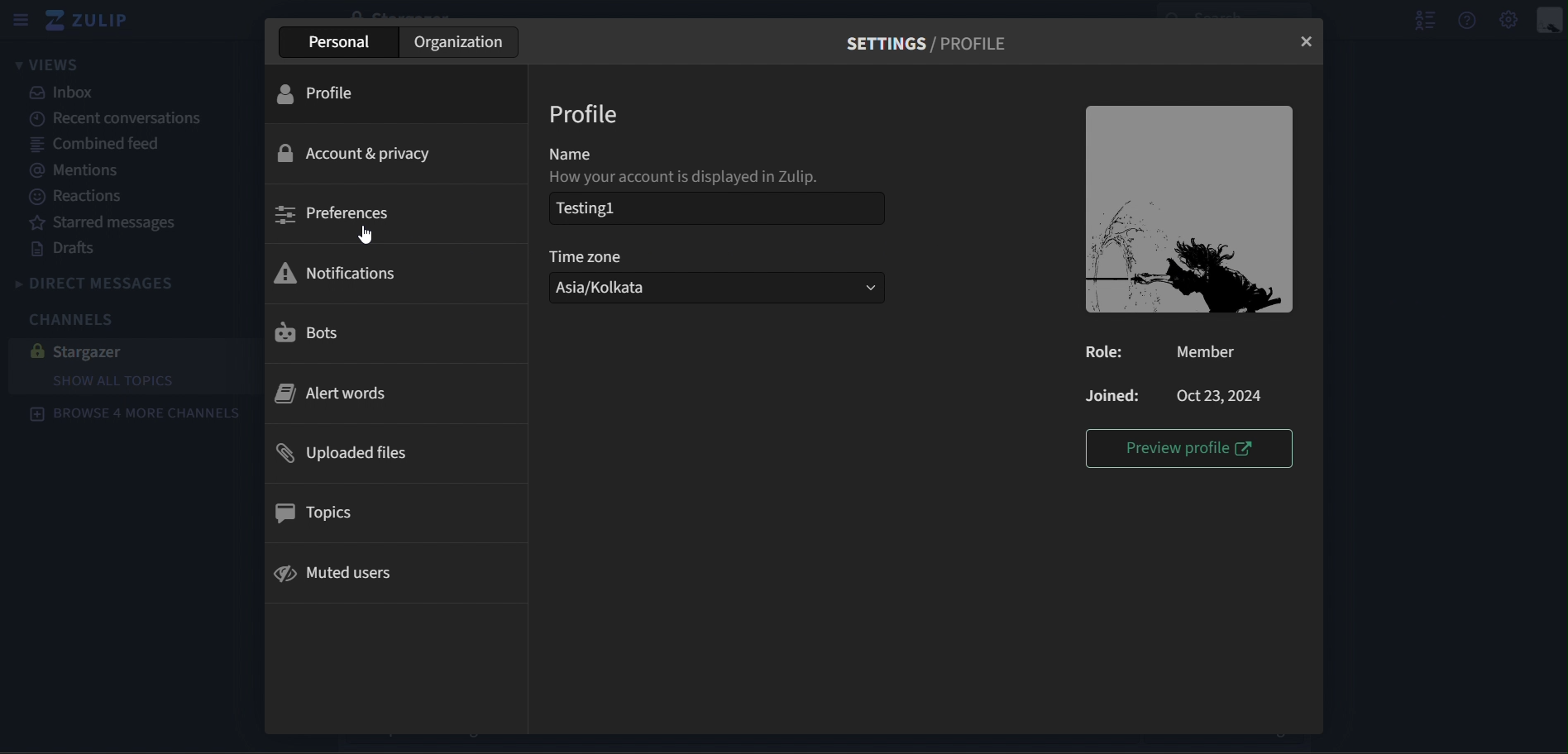 This screenshot has height=754, width=1568. Describe the element at coordinates (334, 214) in the screenshot. I see `preferences` at that location.